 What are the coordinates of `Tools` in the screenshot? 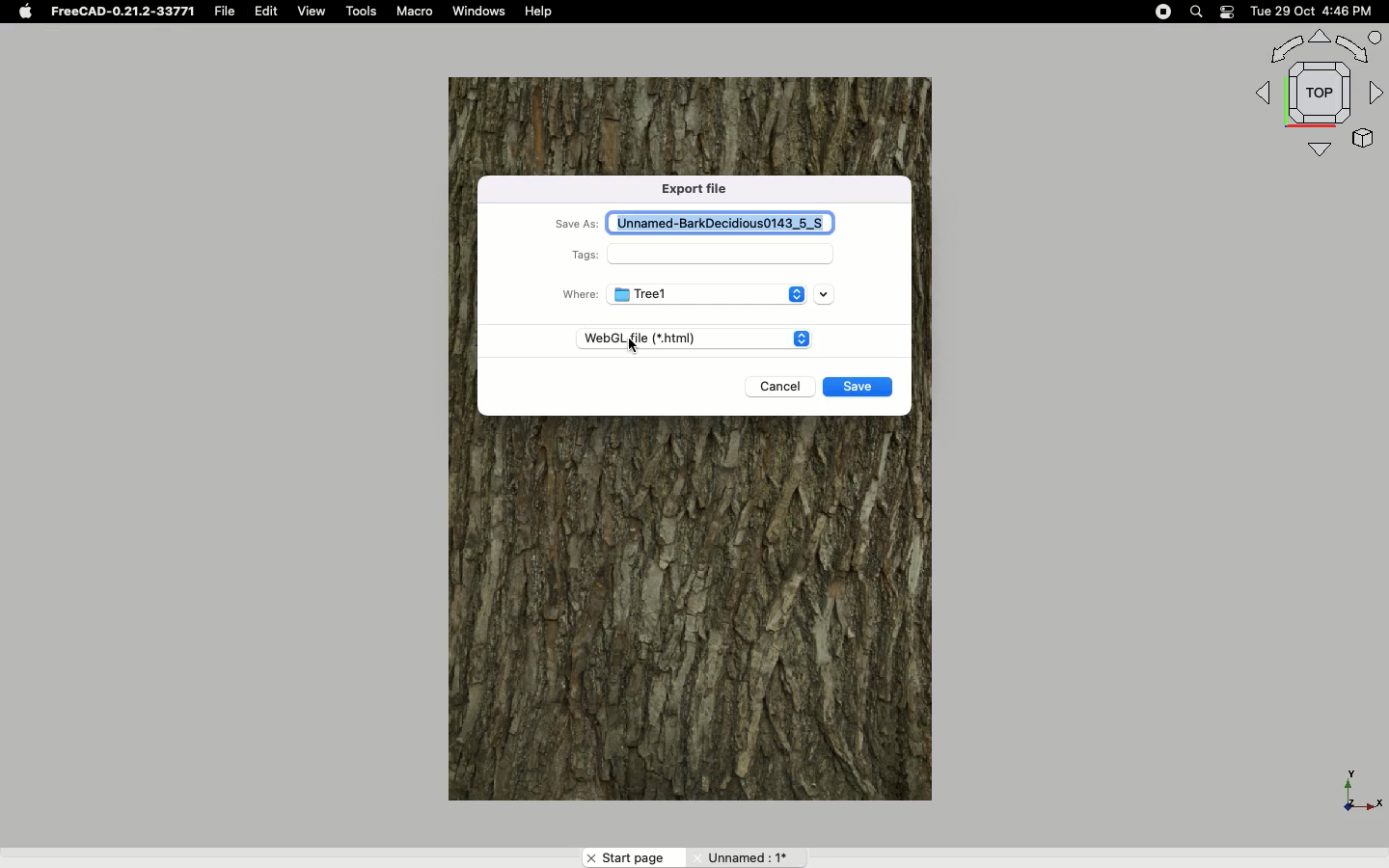 It's located at (364, 12).